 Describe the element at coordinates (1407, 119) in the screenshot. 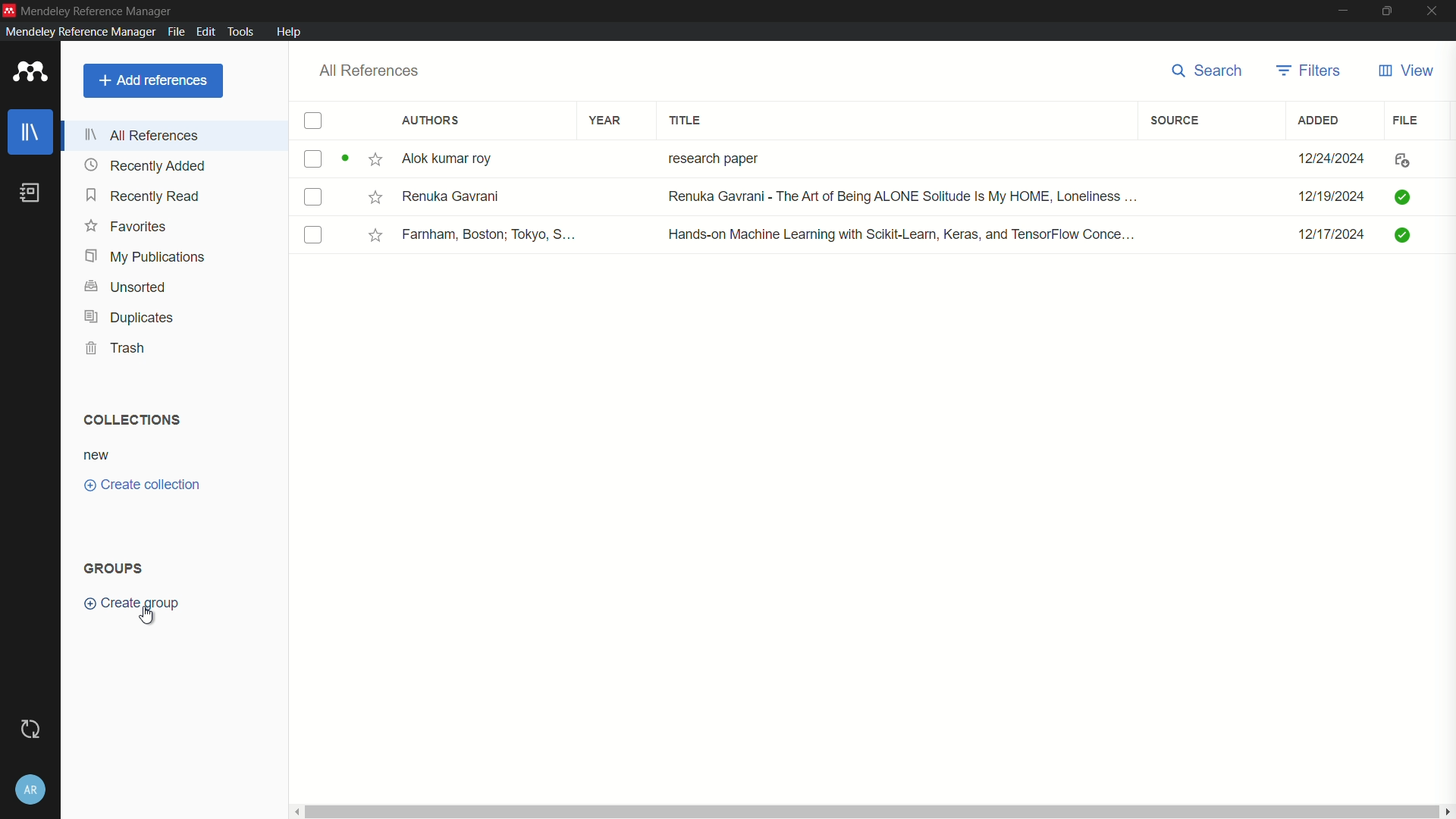

I see `file` at that location.